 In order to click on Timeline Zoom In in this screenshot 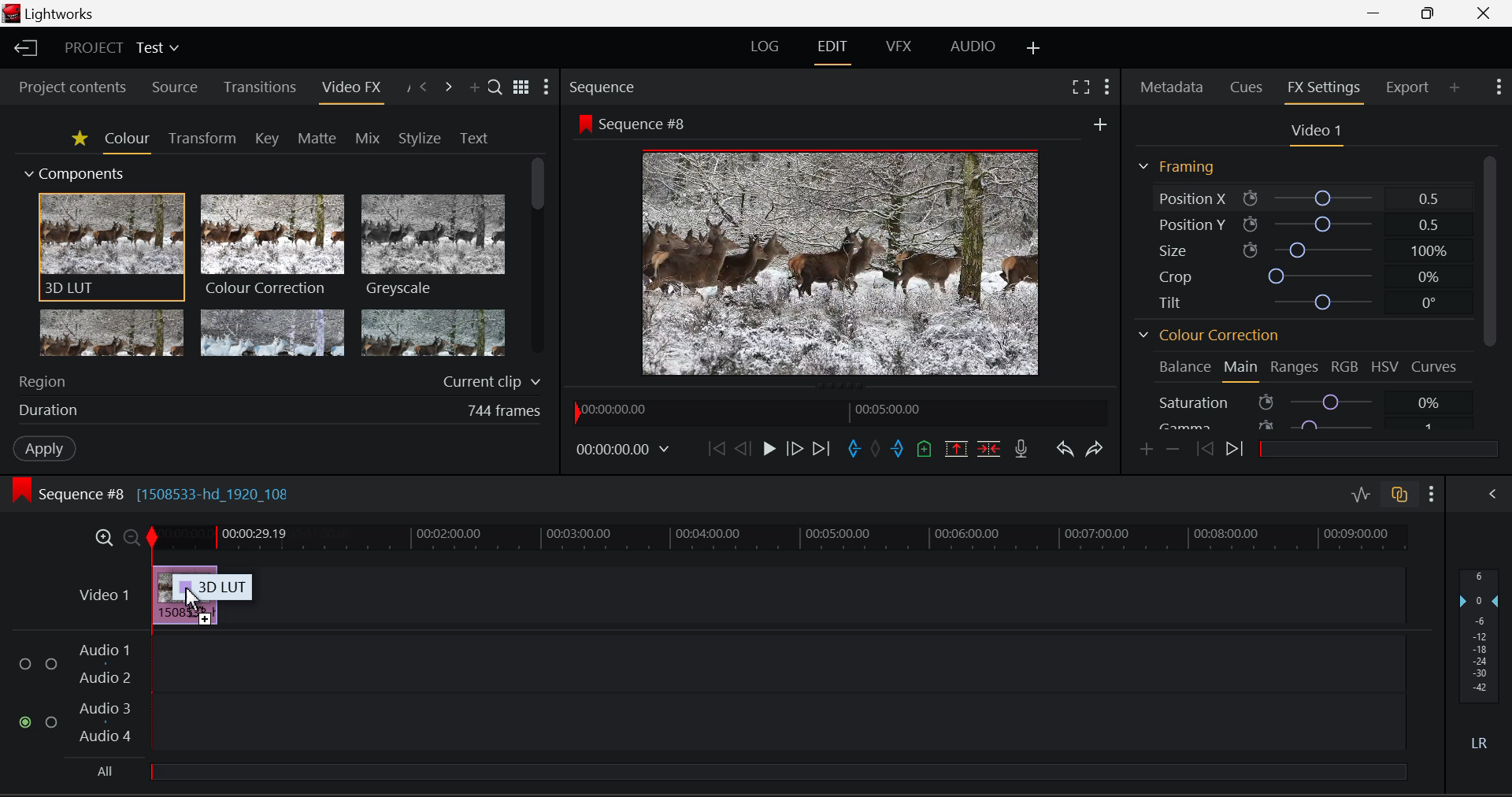, I will do `click(103, 537)`.